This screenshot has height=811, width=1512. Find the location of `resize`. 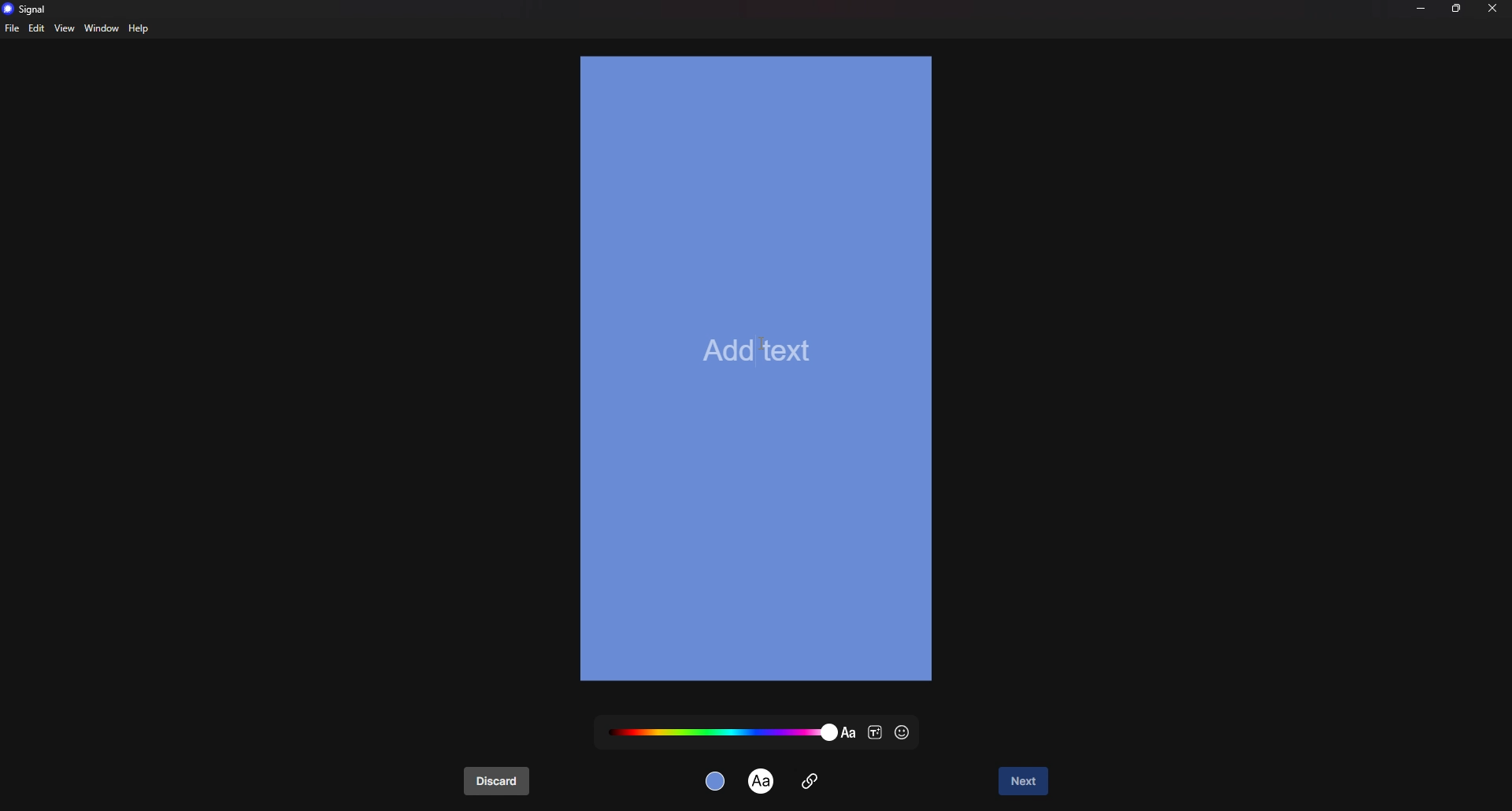

resize is located at coordinates (1458, 8).